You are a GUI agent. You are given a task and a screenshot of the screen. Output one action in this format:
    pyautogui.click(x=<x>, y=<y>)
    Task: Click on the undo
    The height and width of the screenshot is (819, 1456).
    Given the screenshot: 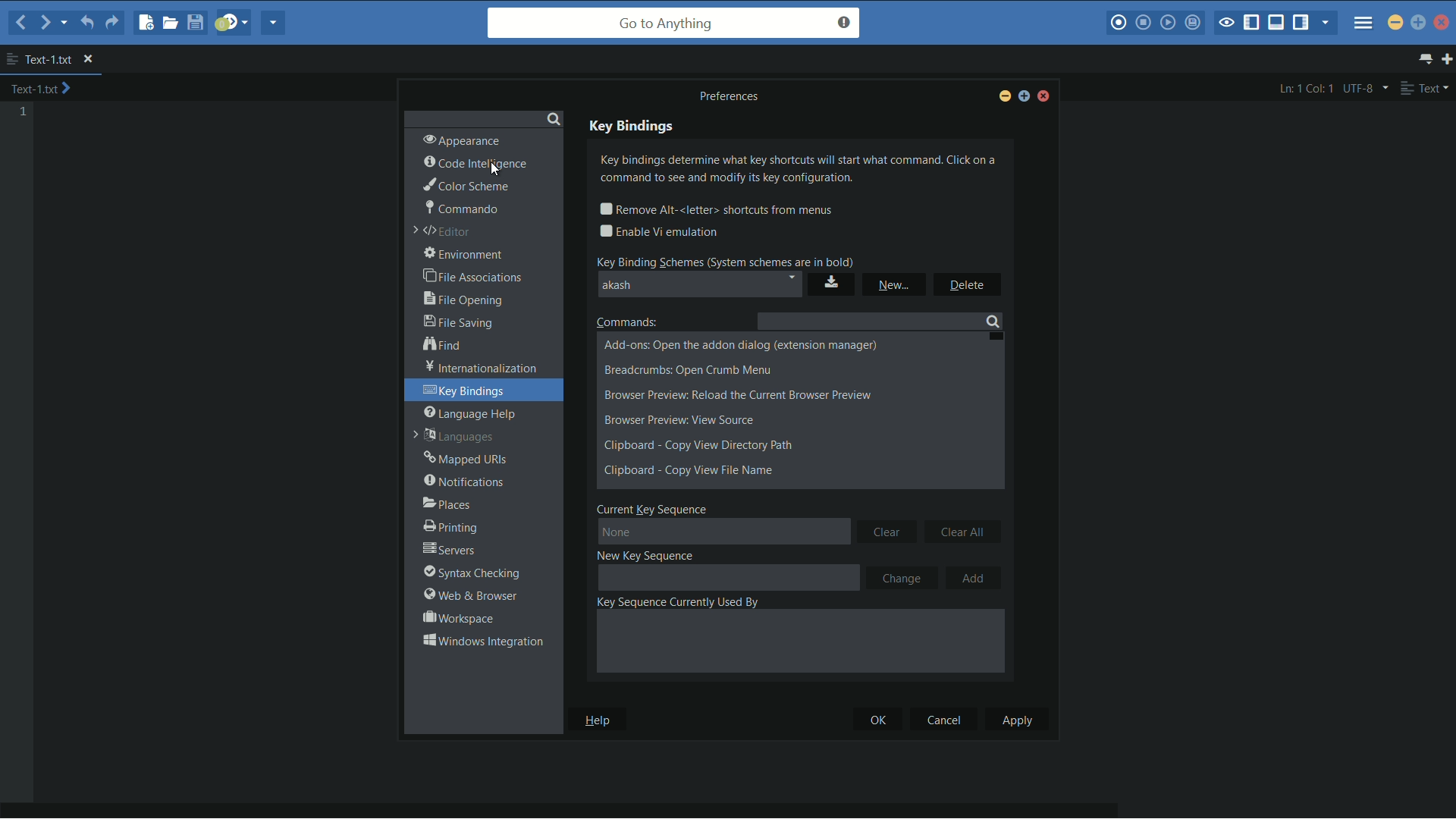 What is the action you would take?
    pyautogui.click(x=85, y=24)
    